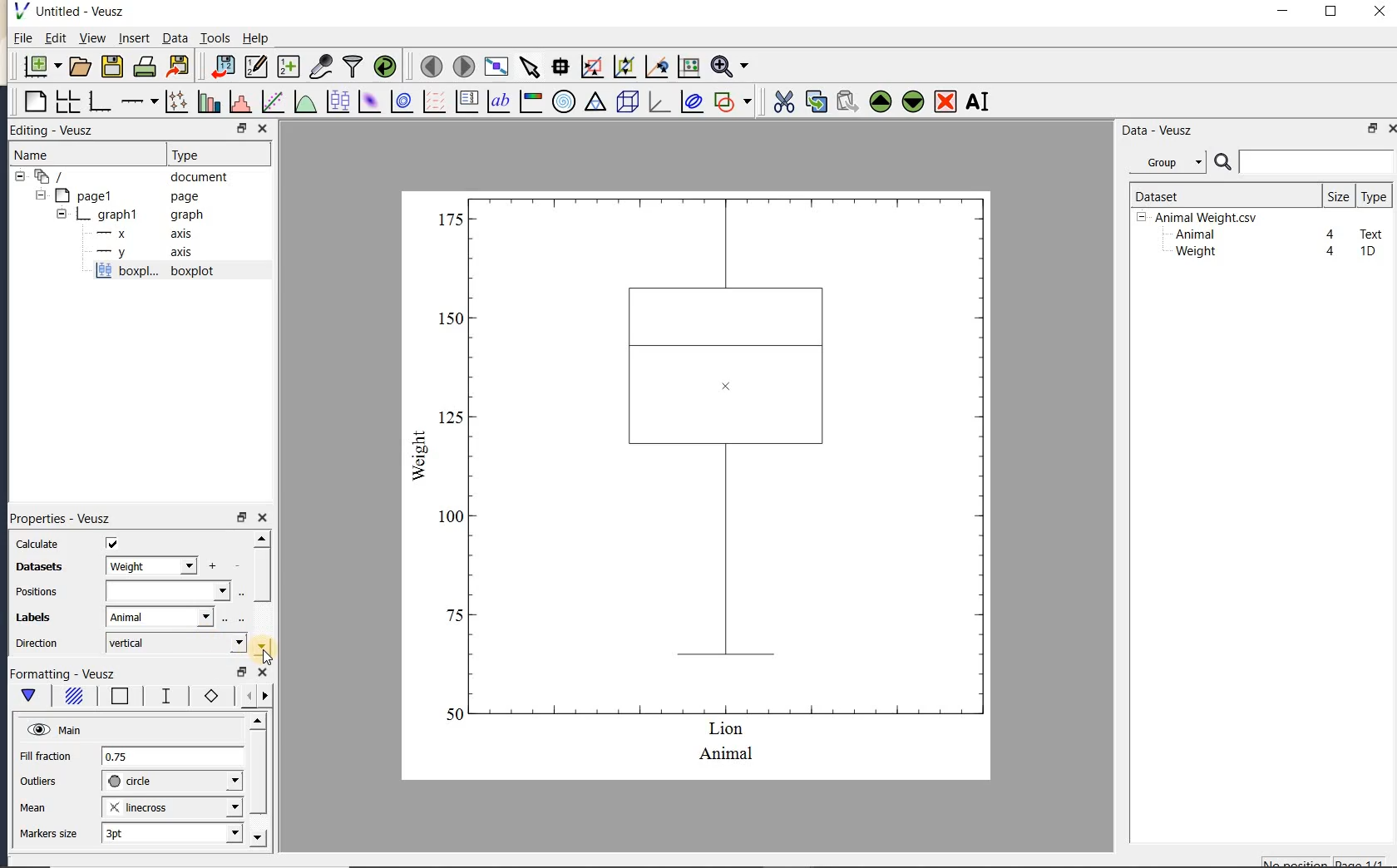 This screenshot has height=868, width=1397. What do you see at coordinates (321, 66) in the screenshot?
I see `capture remote data` at bounding box center [321, 66].